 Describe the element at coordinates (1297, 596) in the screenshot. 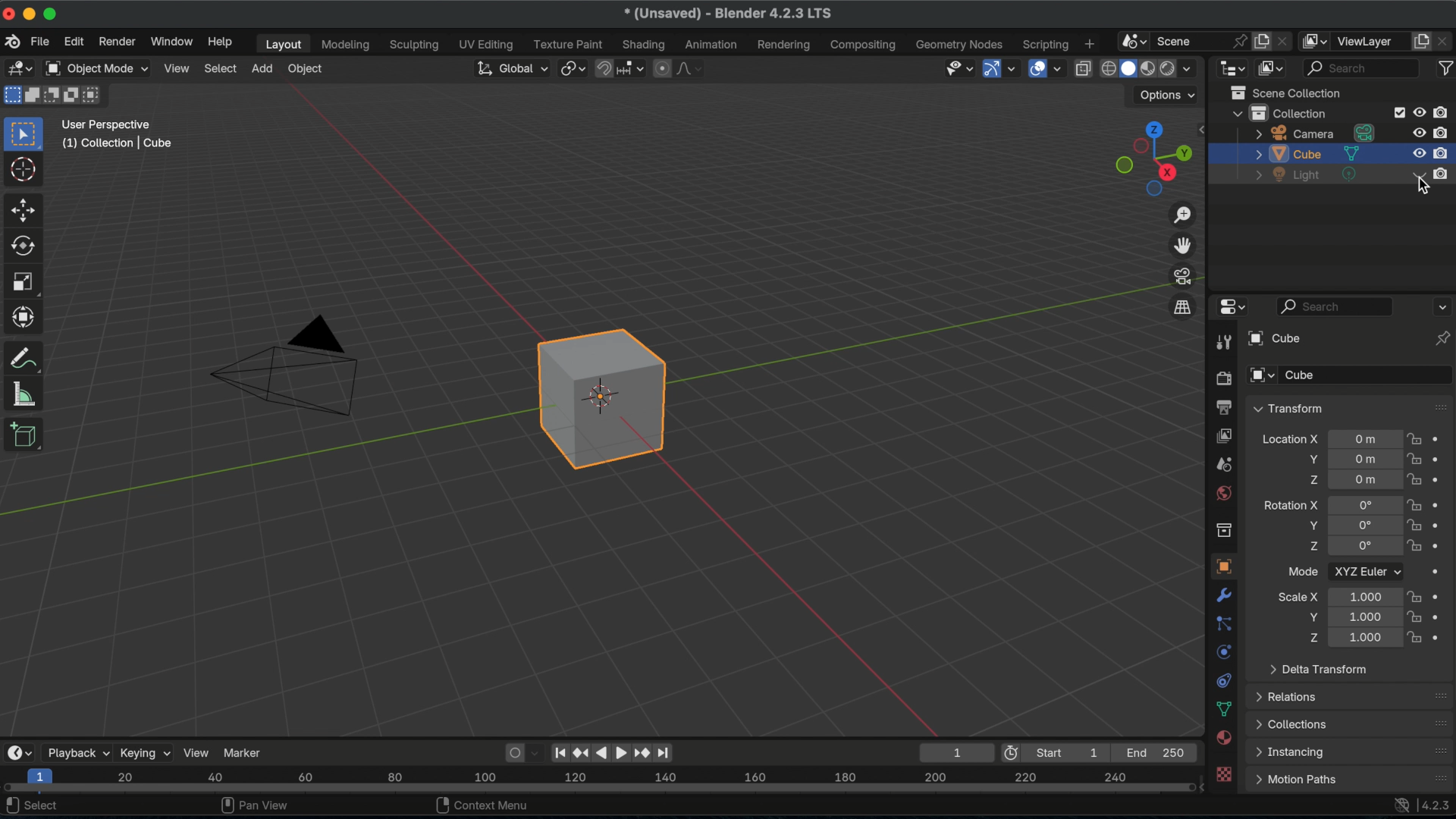

I see `scale X` at that location.